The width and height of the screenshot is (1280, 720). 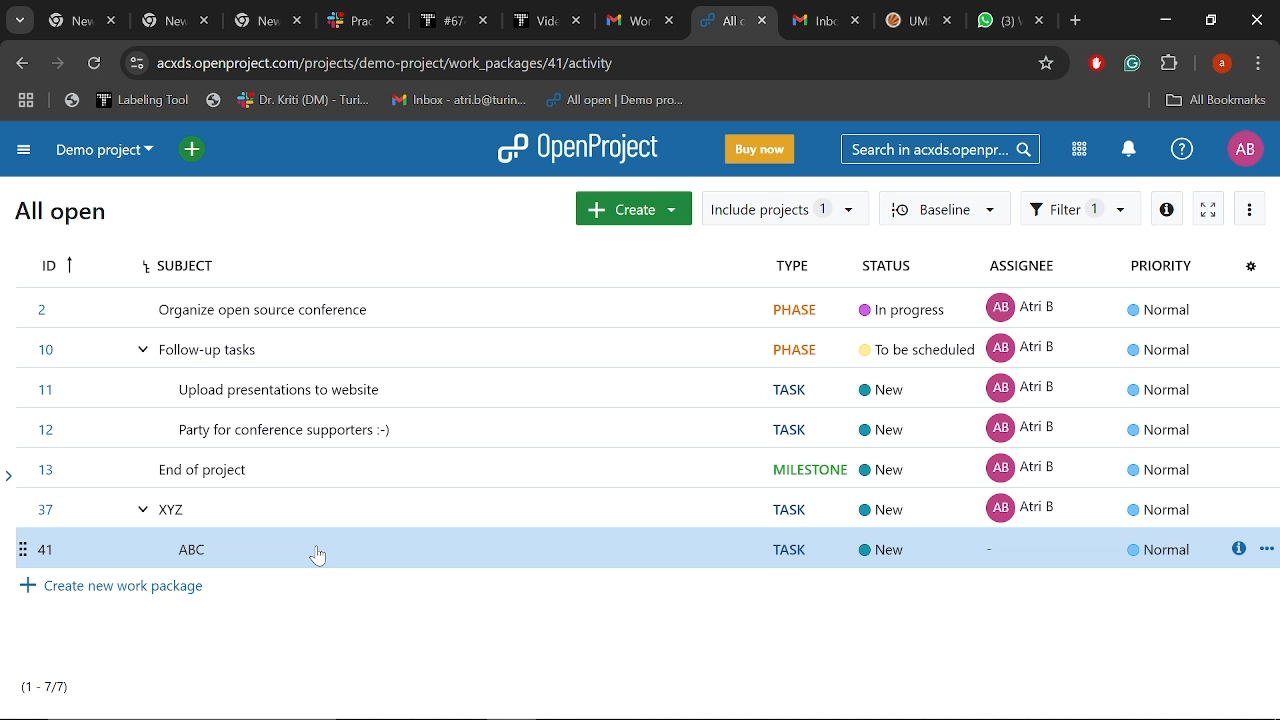 What do you see at coordinates (644, 510) in the screenshot?
I see `task ID 37` at bounding box center [644, 510].